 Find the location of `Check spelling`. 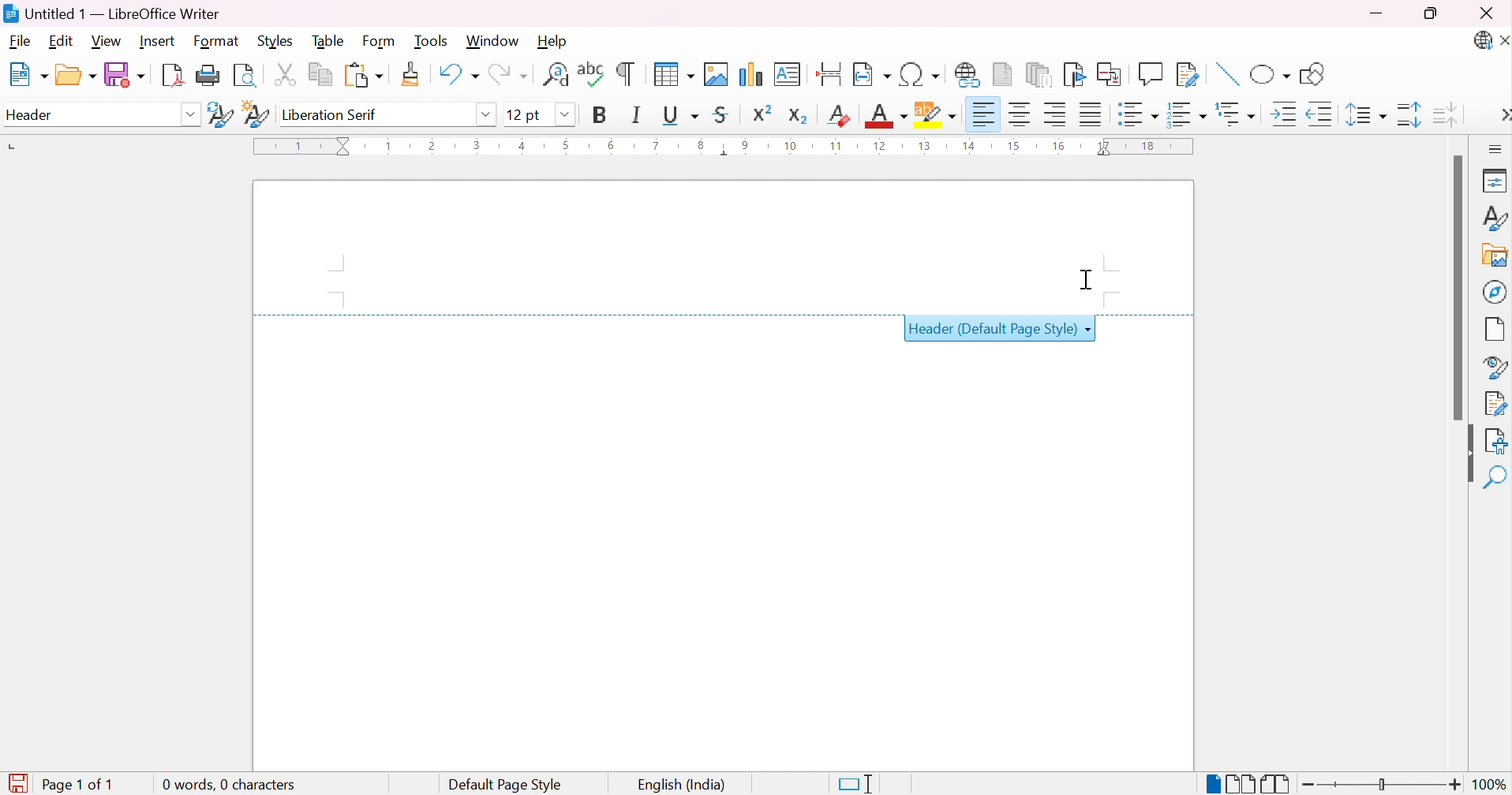

Check spelling is located at coordinates (589, 72).